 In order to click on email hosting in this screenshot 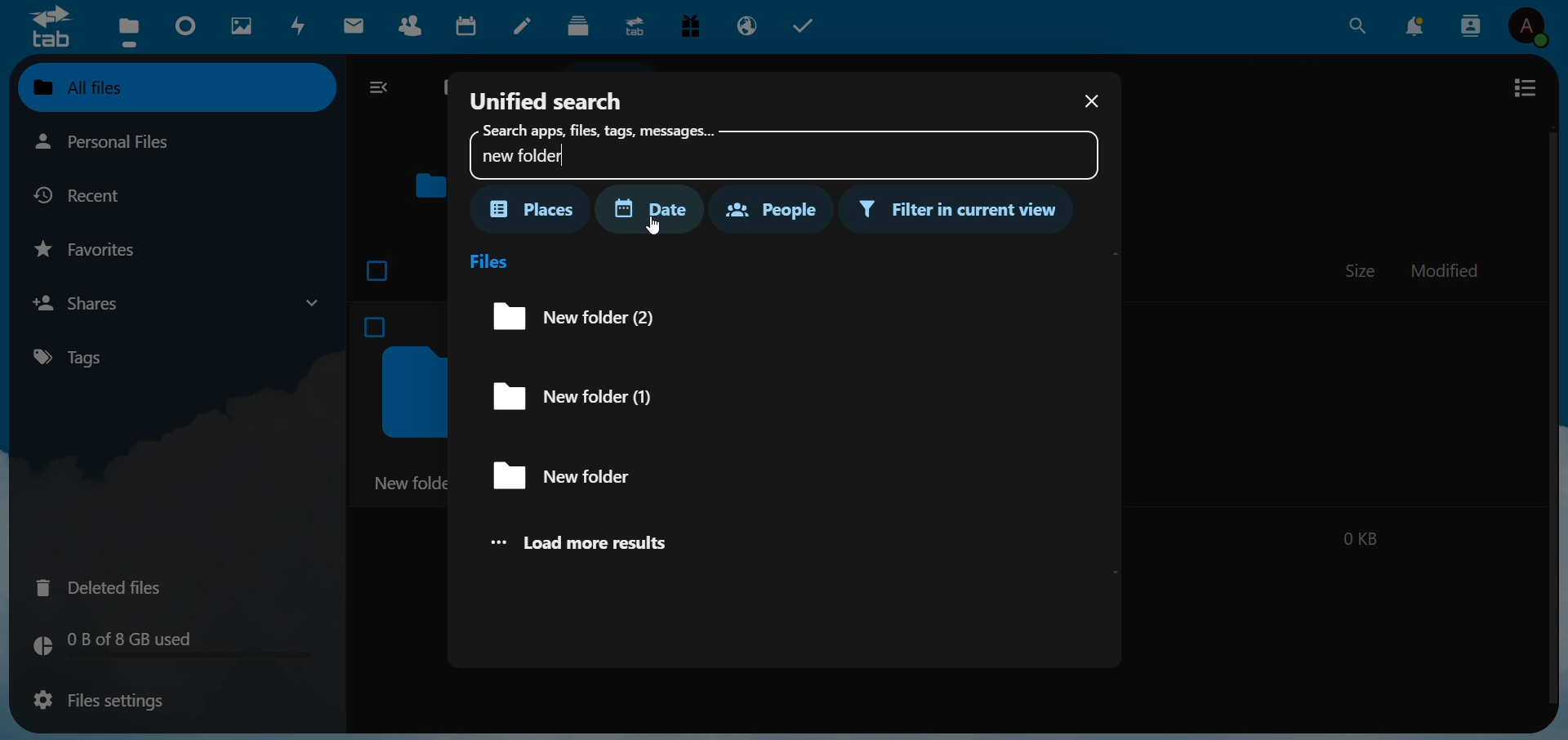, I will do `click(749, 25)`.